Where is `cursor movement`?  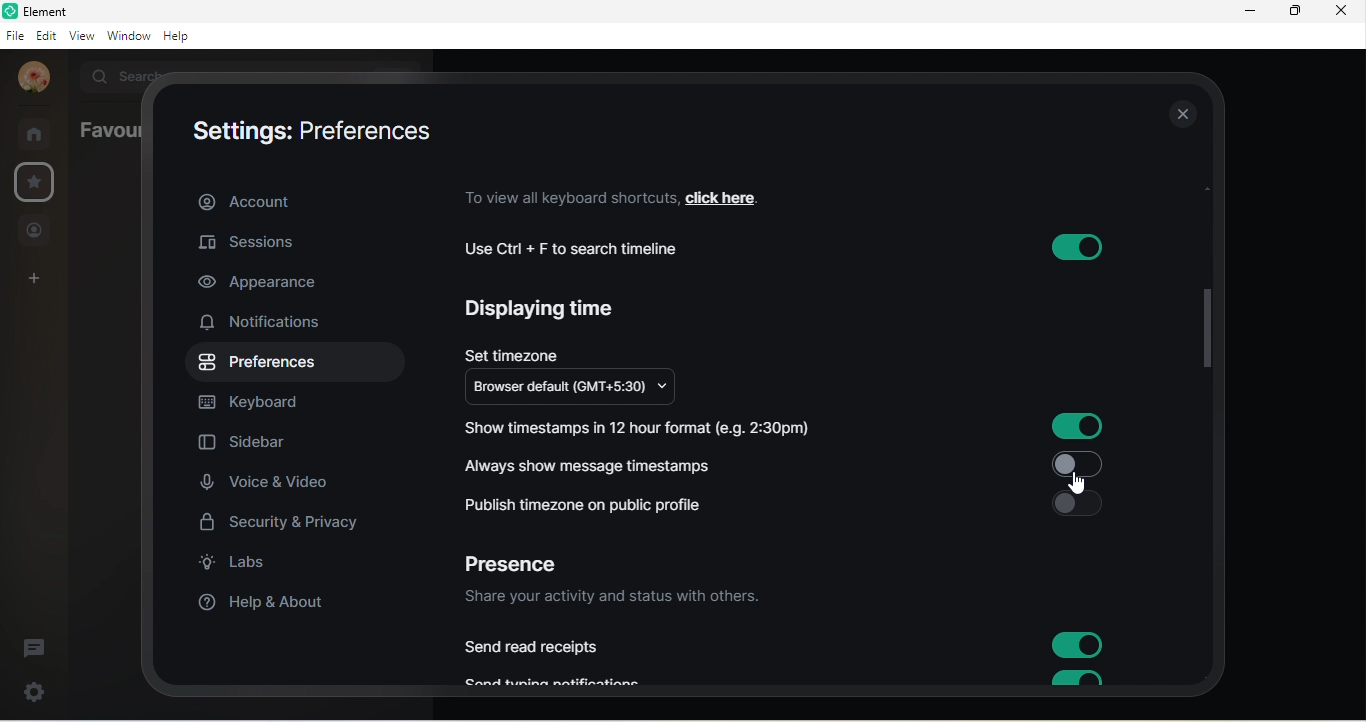
cursor movement is located at coordinates (1078, 481).